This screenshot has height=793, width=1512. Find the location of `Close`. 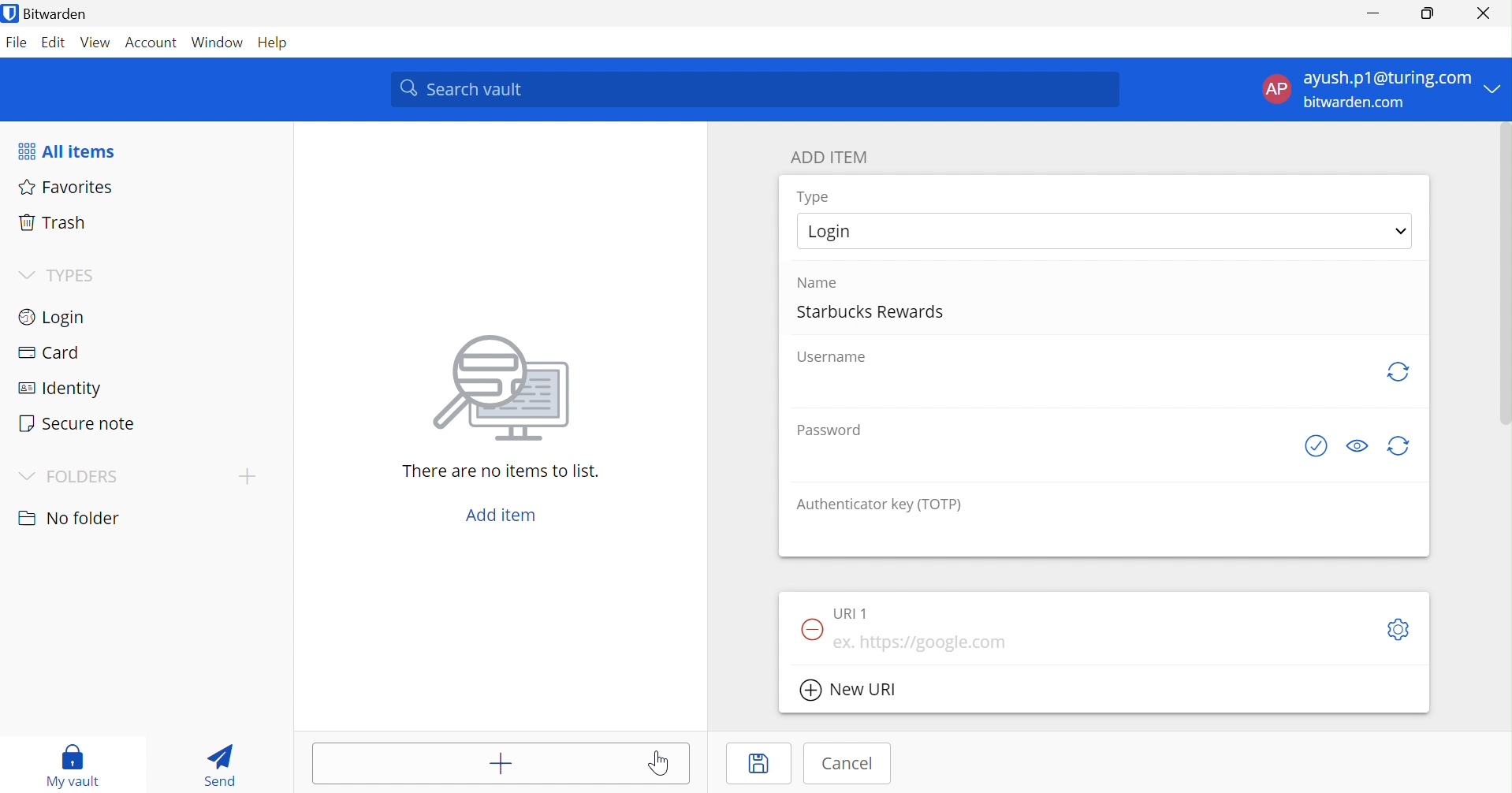

Close is located at coordinates (1486, 13).